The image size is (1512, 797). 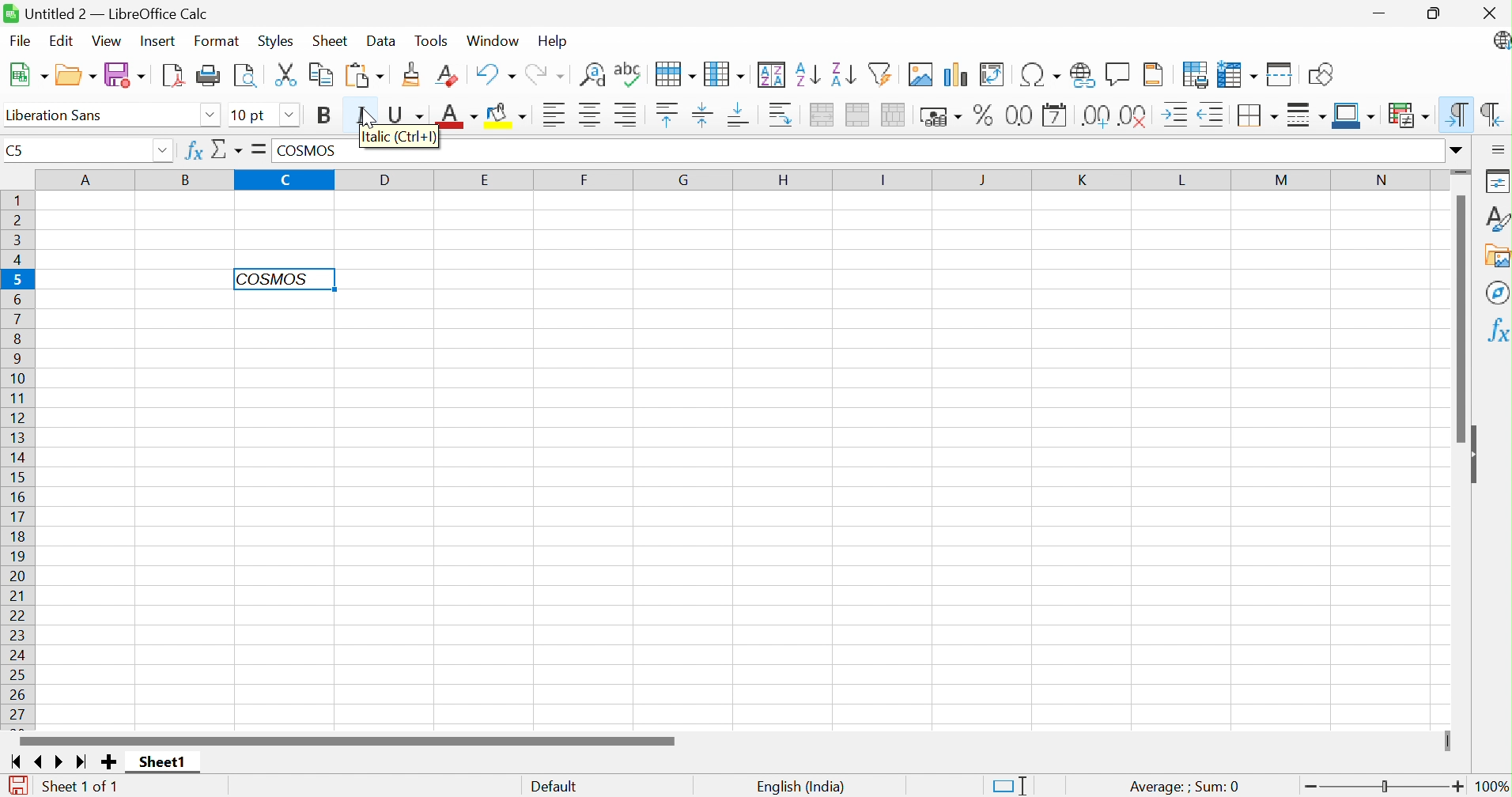 I want to click on Scroll to first sheet, so click(x=13, y=761).